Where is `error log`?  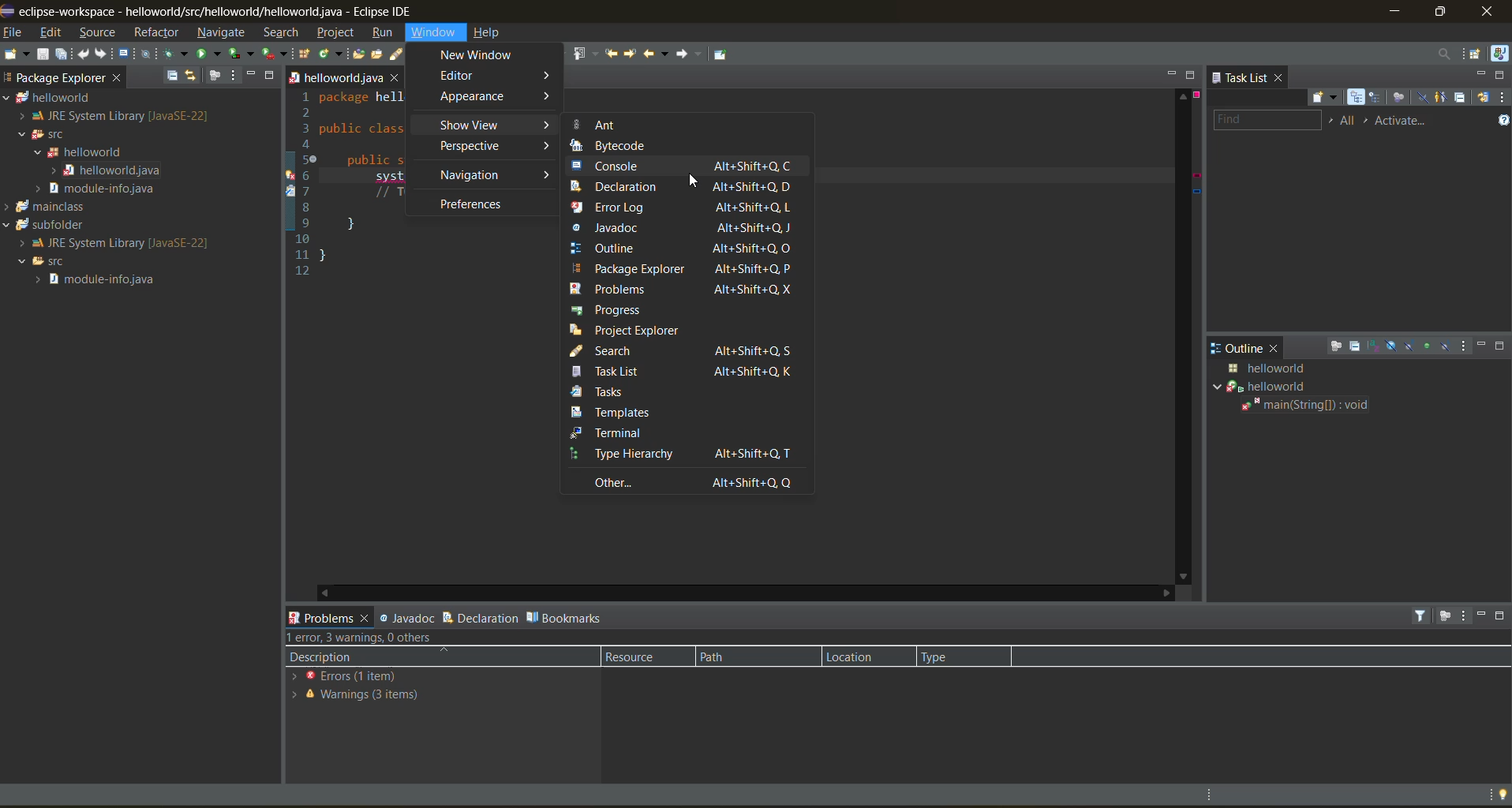 error log is located at coordinates (690, 205).